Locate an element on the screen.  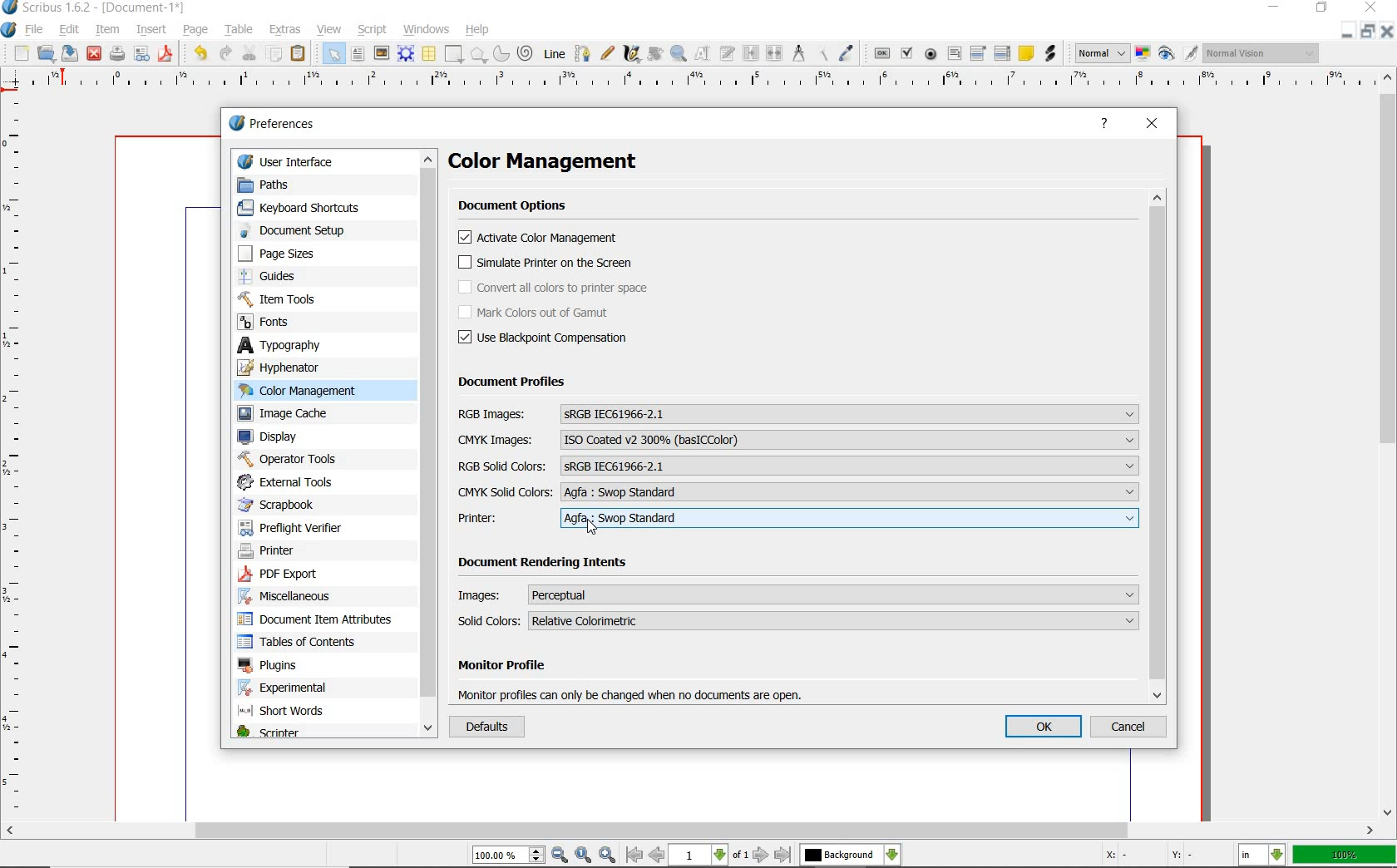
select image preview mode is located at coordinates (1103, 52).